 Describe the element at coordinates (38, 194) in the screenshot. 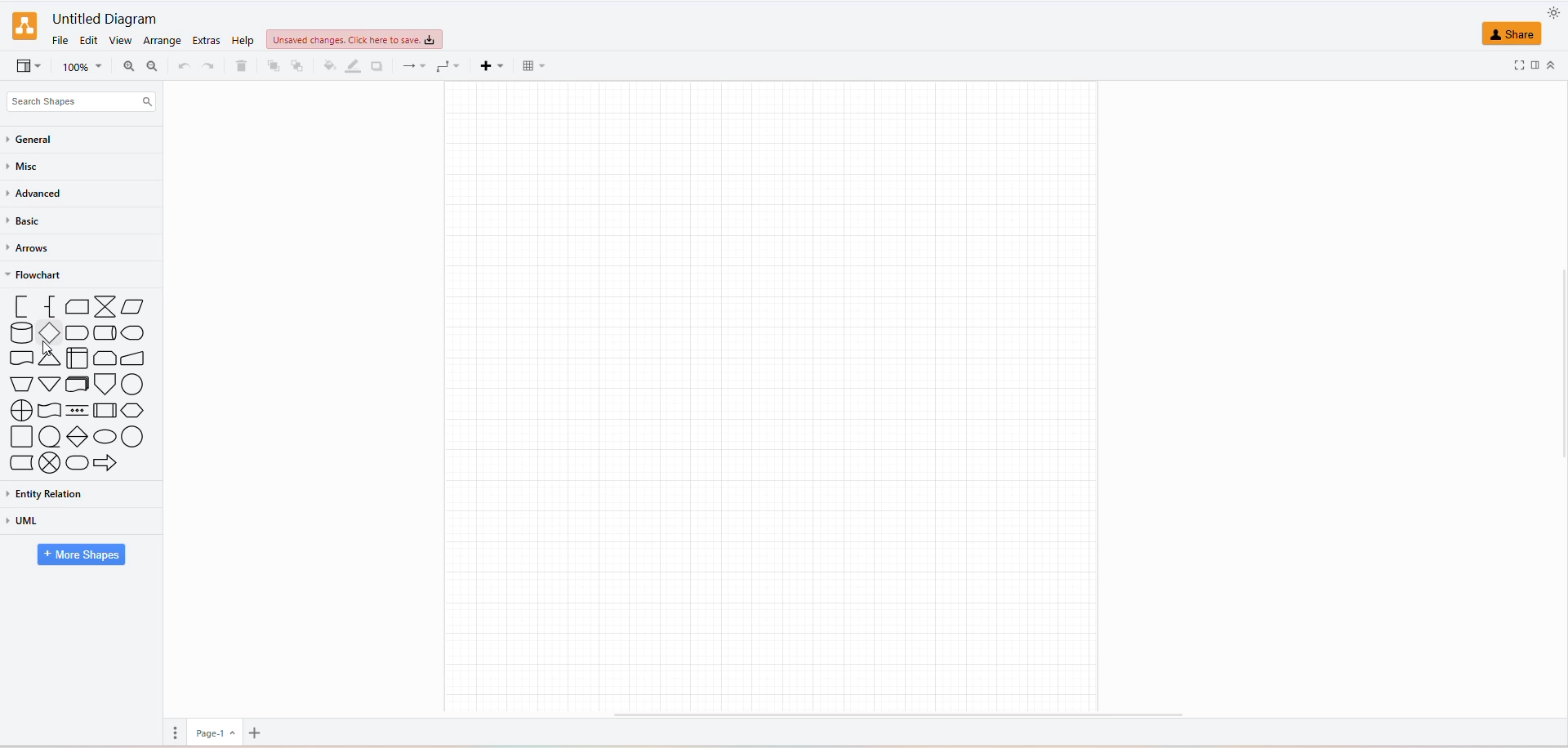

I see `ADVANCED` at that location.